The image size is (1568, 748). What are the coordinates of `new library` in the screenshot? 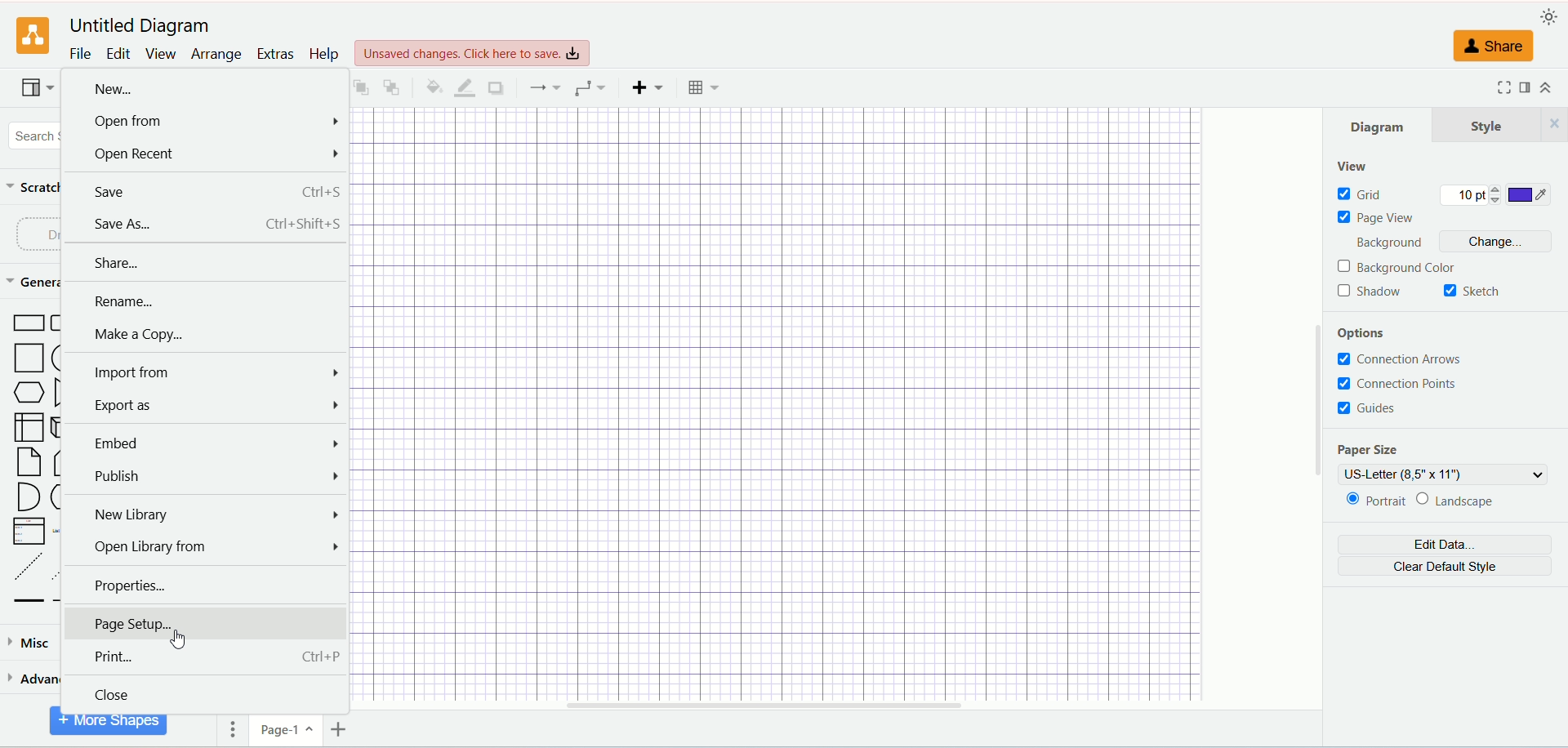 It's located at (207, 514).